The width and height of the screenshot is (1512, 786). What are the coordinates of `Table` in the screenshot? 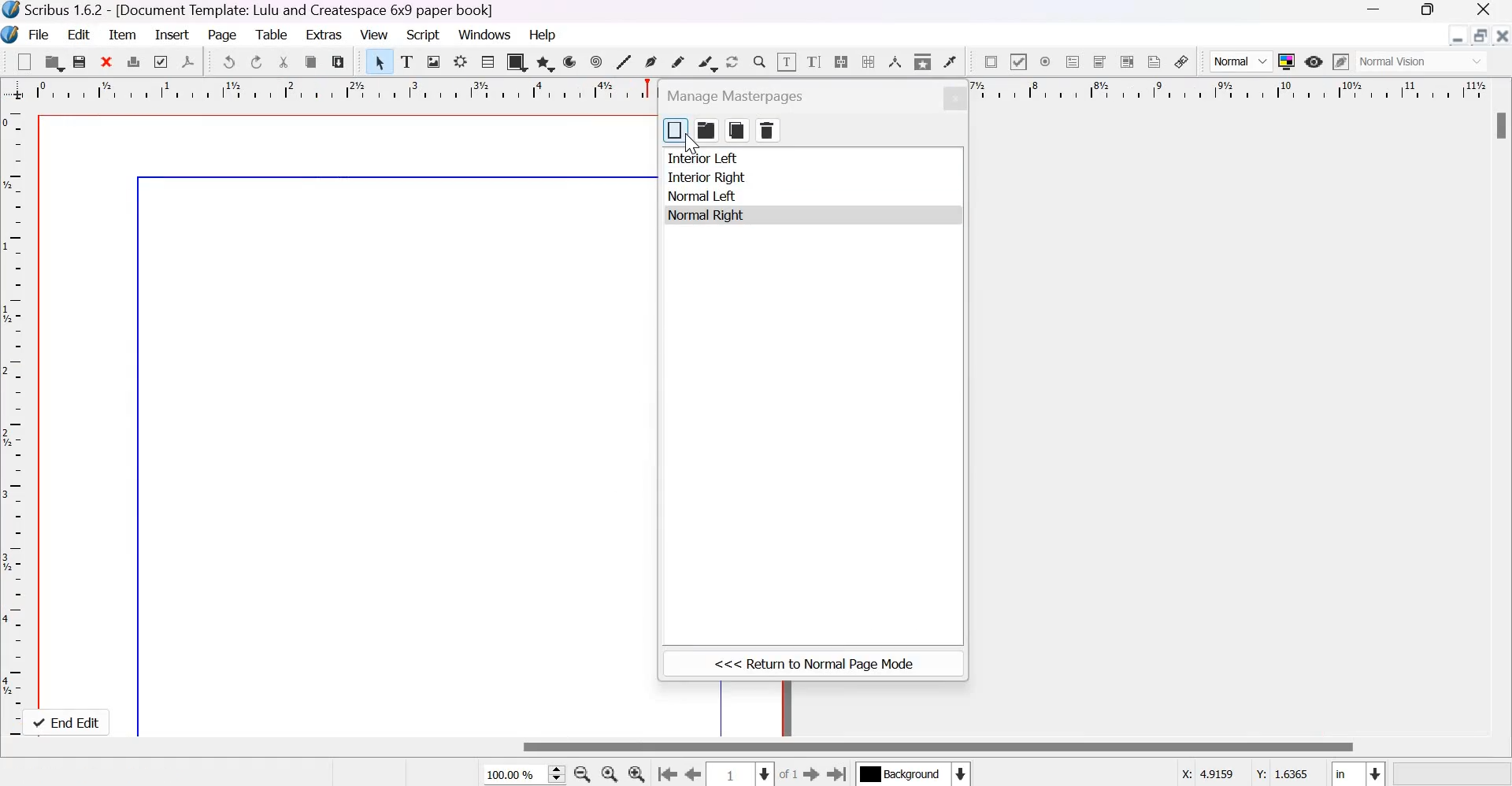 It's located at (271, 35).